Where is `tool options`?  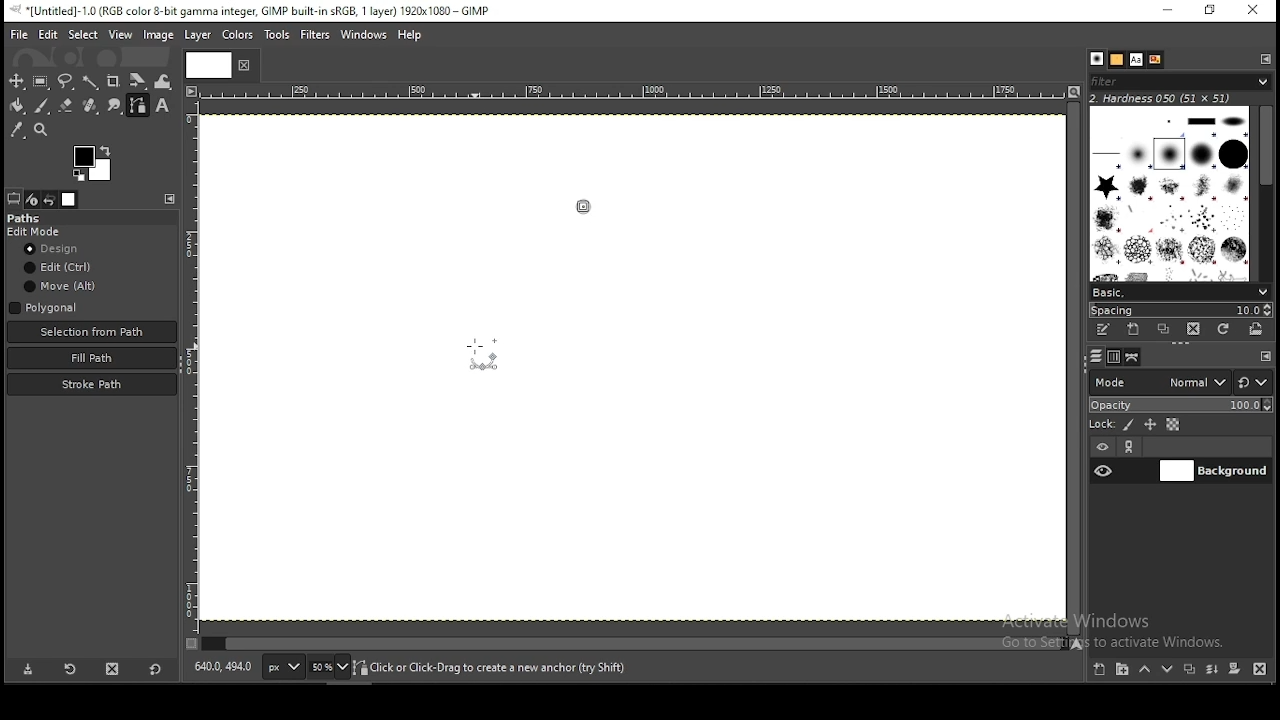 tool options is located at coordinates (14, 198).